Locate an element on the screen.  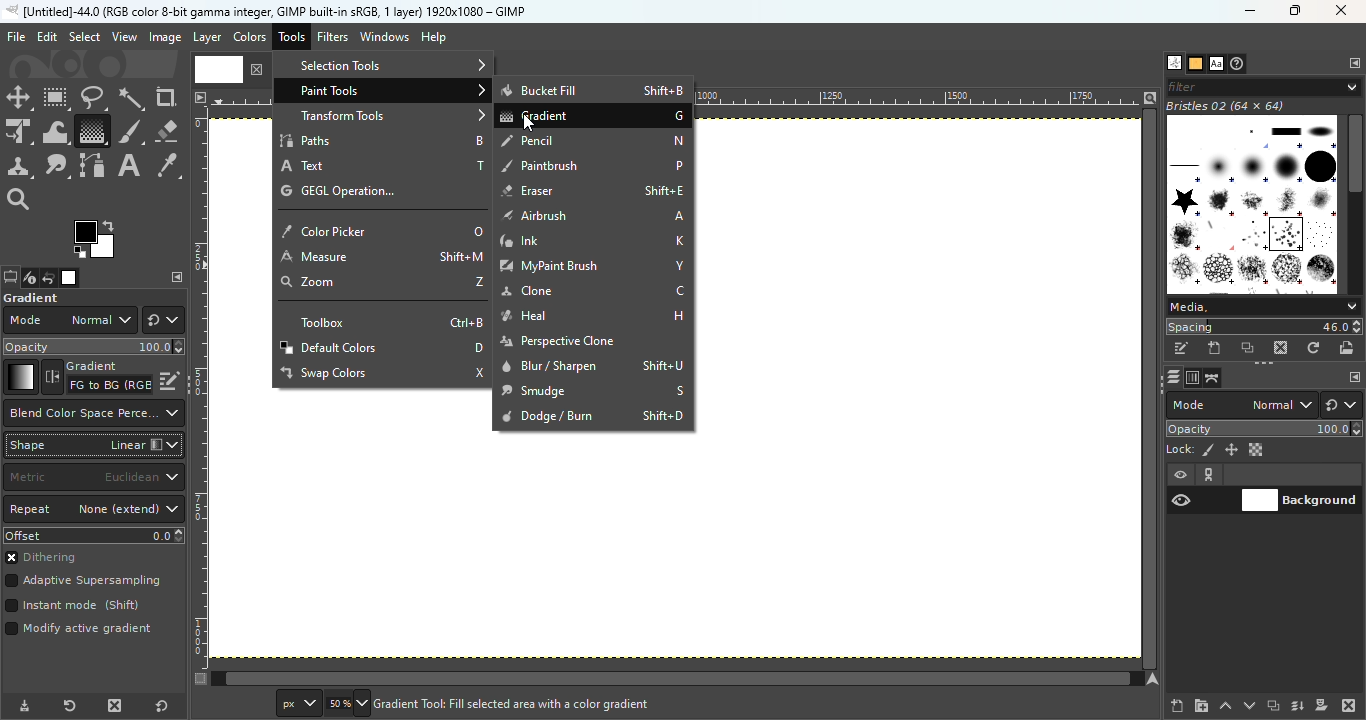
Horizontal scroll bar is located at coordinates (1152, 389).